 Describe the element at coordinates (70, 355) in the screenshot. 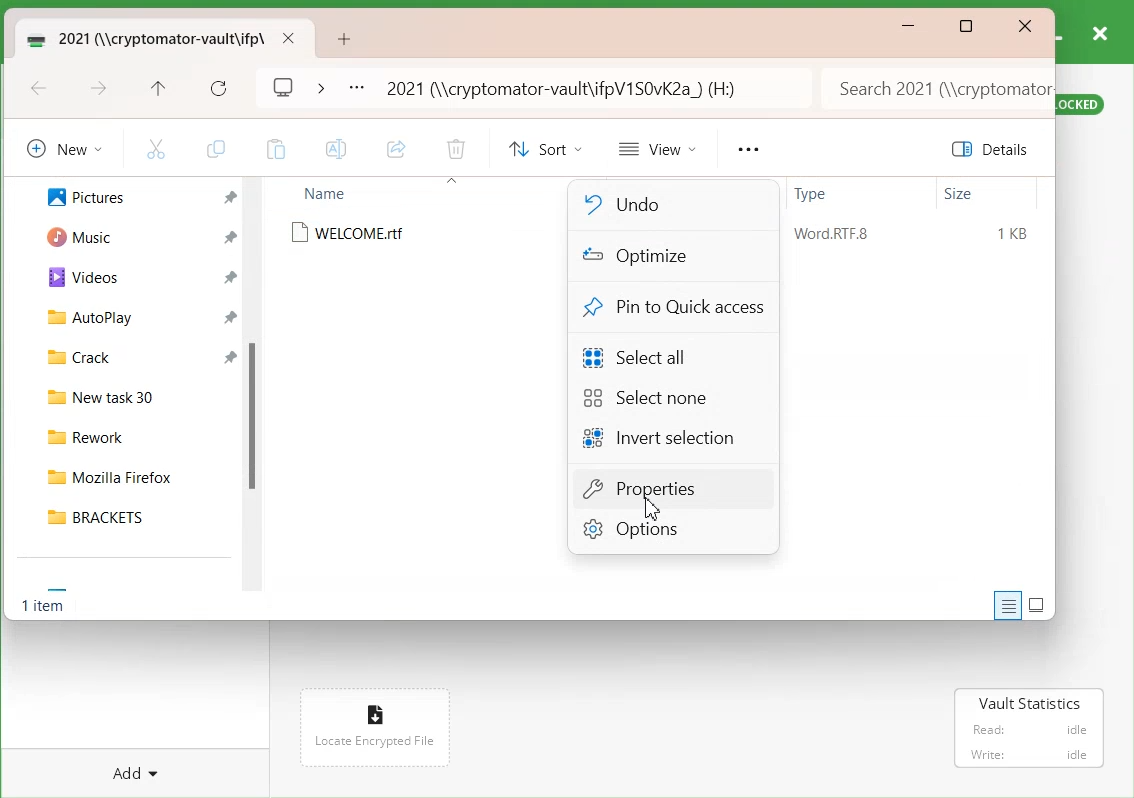

I see `Crack` at that location.